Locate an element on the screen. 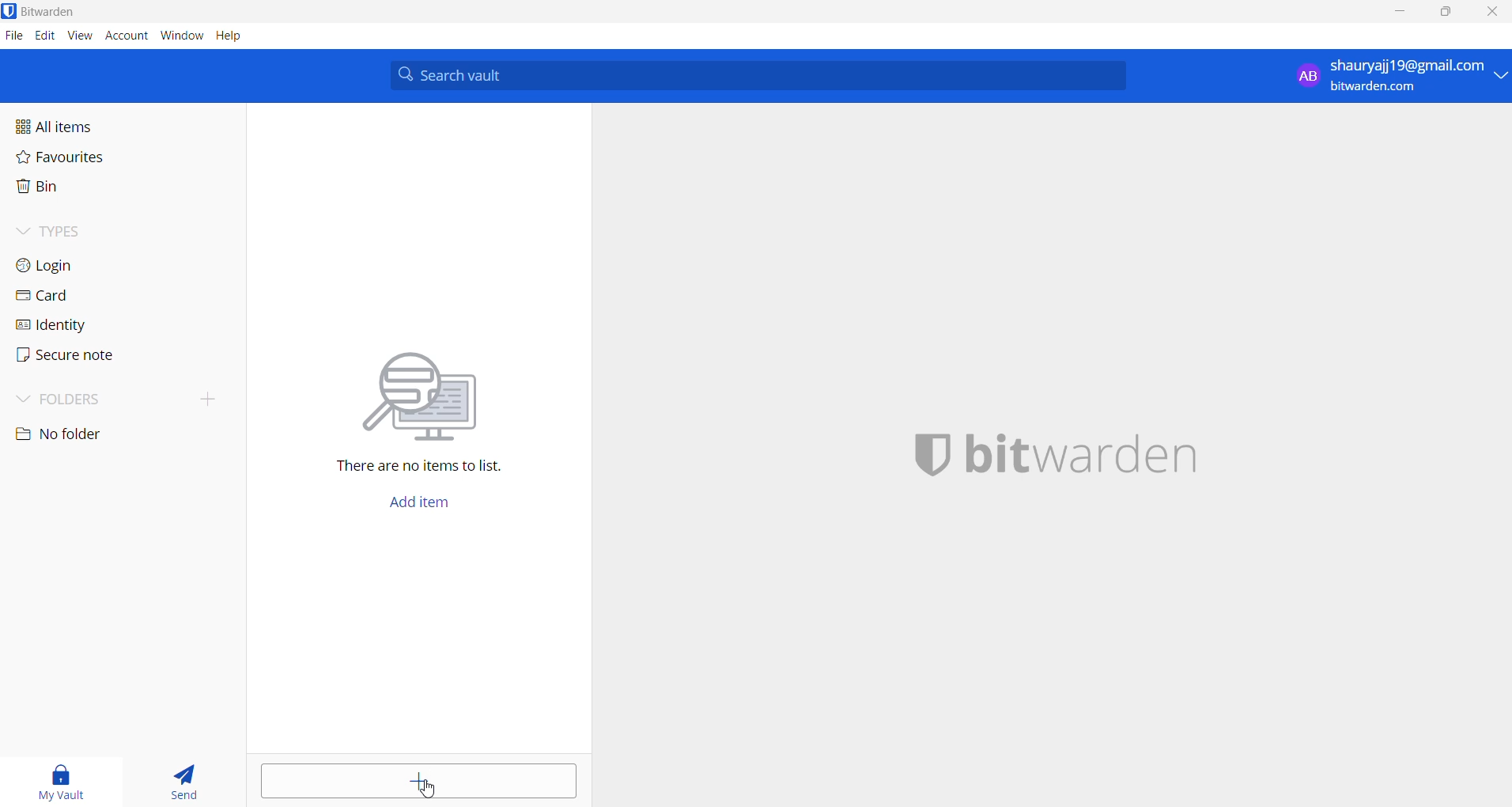  edit is located at coordinates (44, 37).